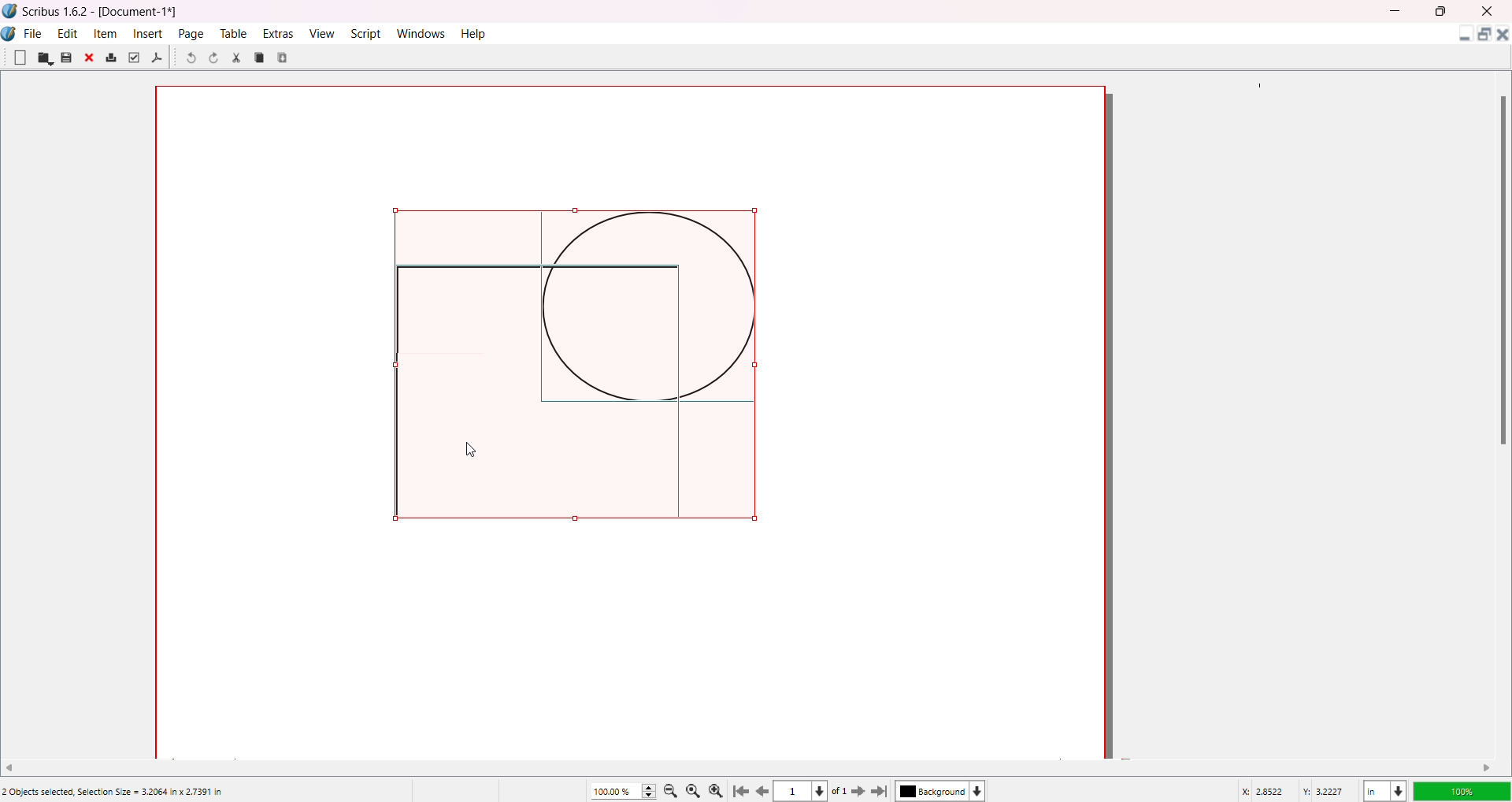 This screenshot has width=1512, height=802. What do you see at coordinates (20, 57) in the screenshot?
I see `New` at bounding box center [20, 57].